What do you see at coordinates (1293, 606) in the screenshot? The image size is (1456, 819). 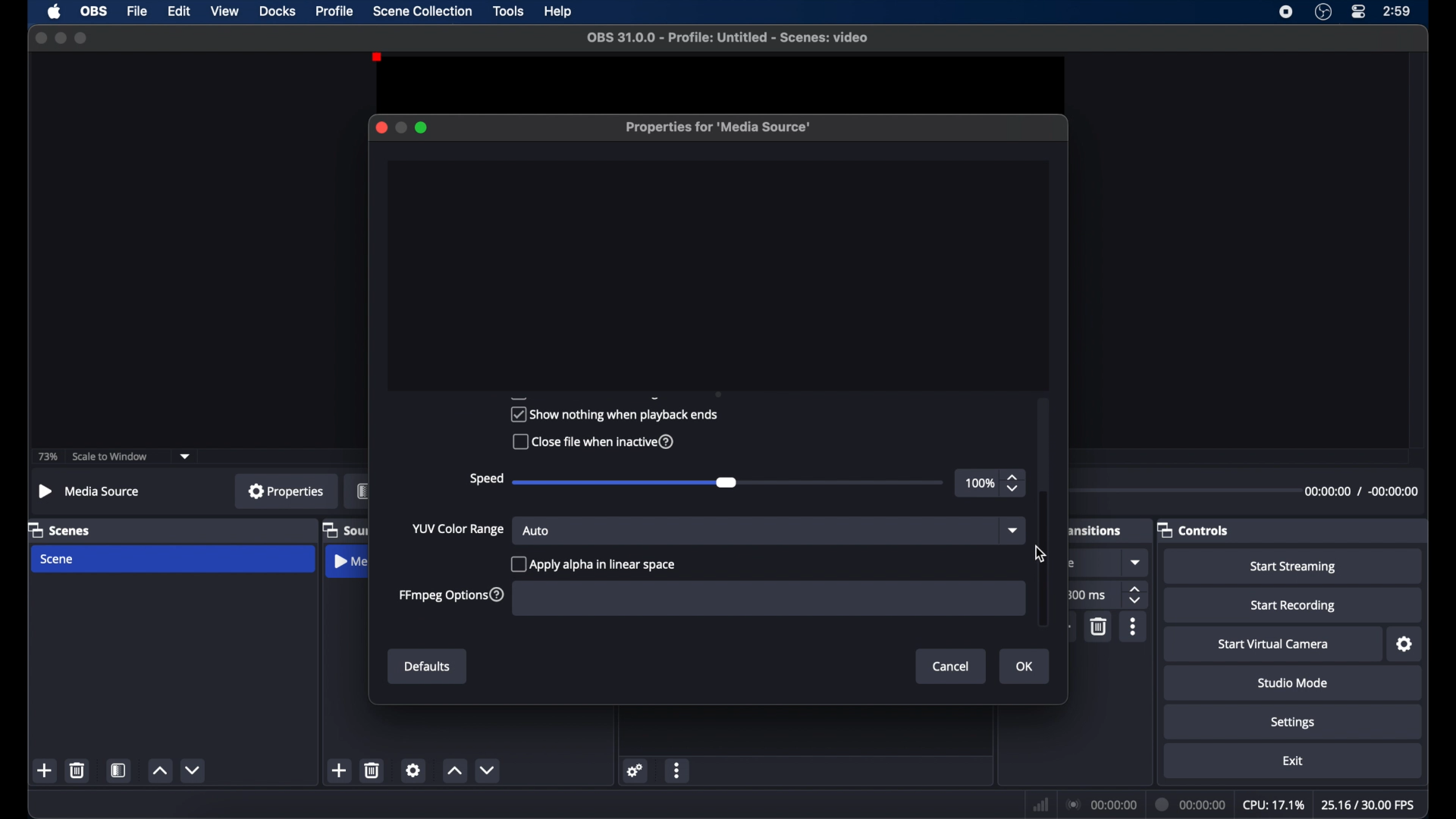 I see `start recording` at bounding box center [1293, 606].